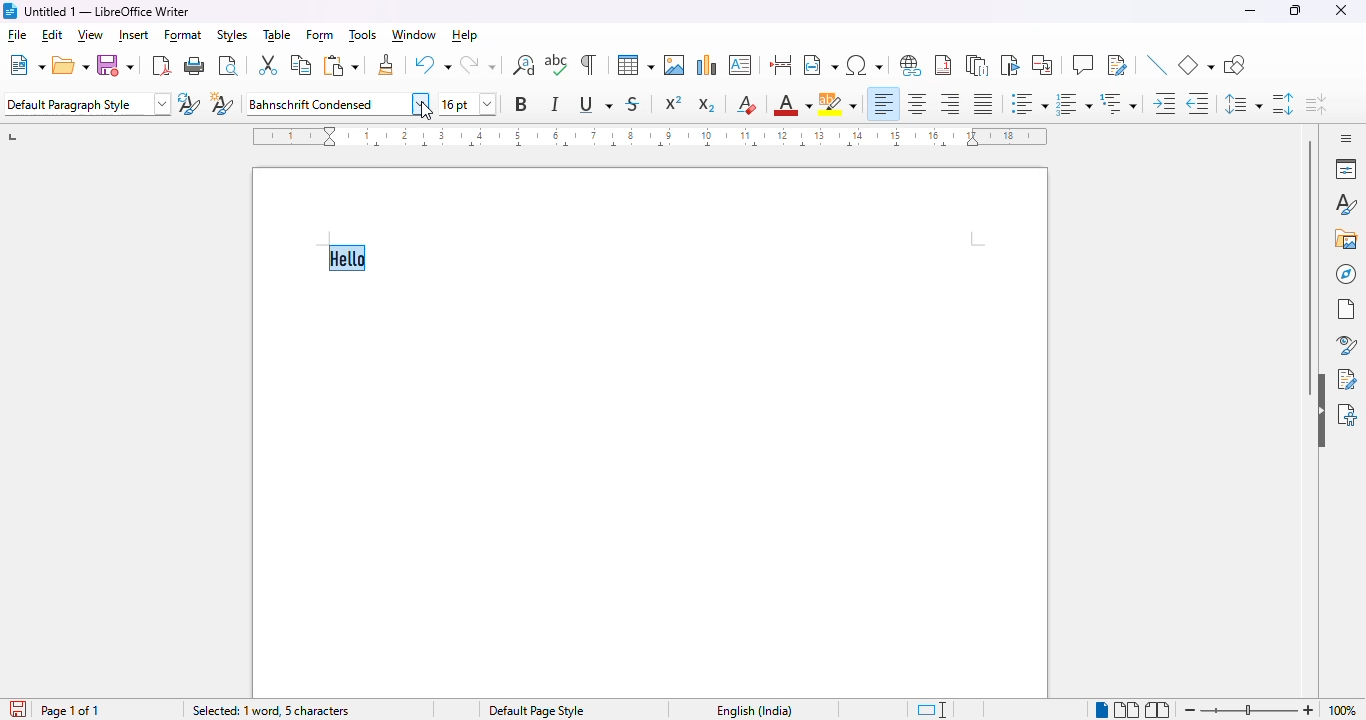  What do you see at coordinates (229, 65) in the screenshot?
I see `toggle print preview` at bounding box center [229, 65].